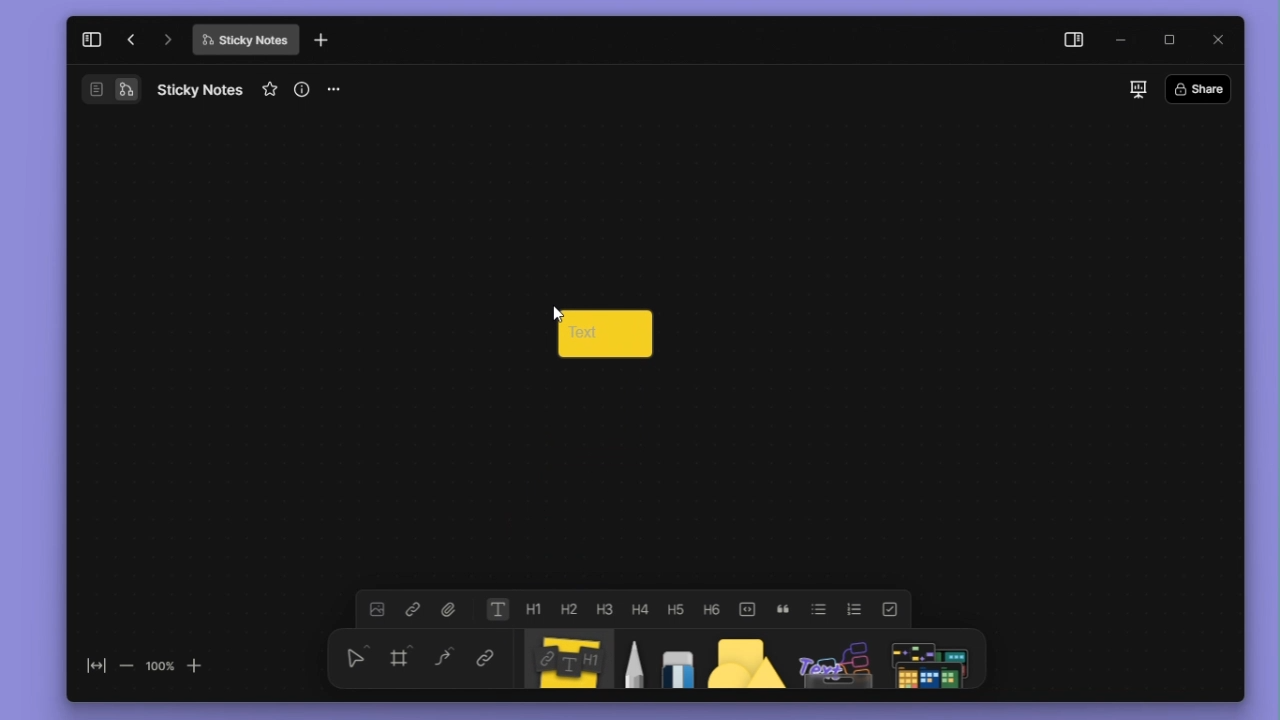  I want to click on heading, so click(642, 608).